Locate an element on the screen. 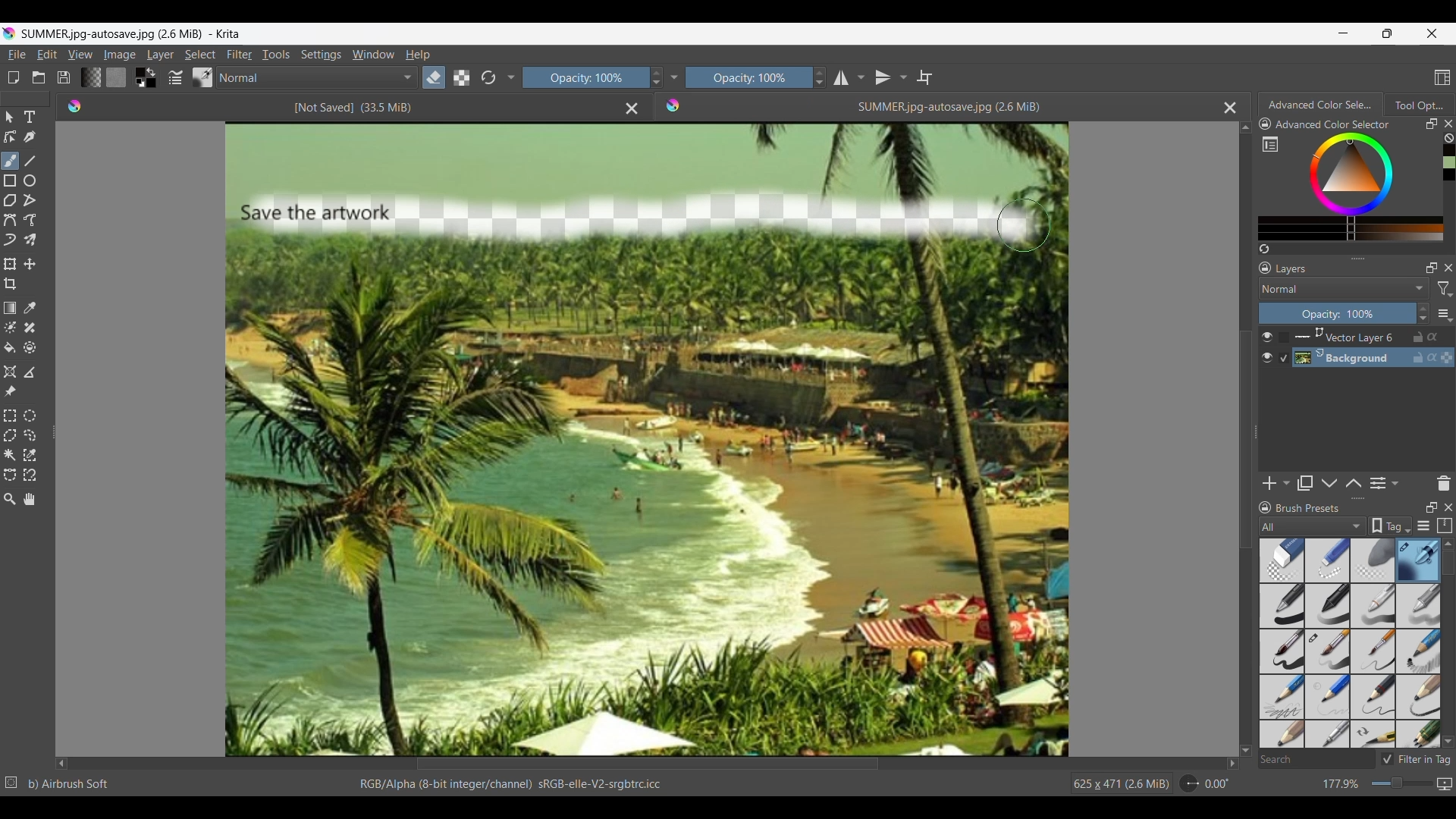 The height and width of the screenshot is (819, 1456). Opacity 100% is located at coordinates (749, 77).